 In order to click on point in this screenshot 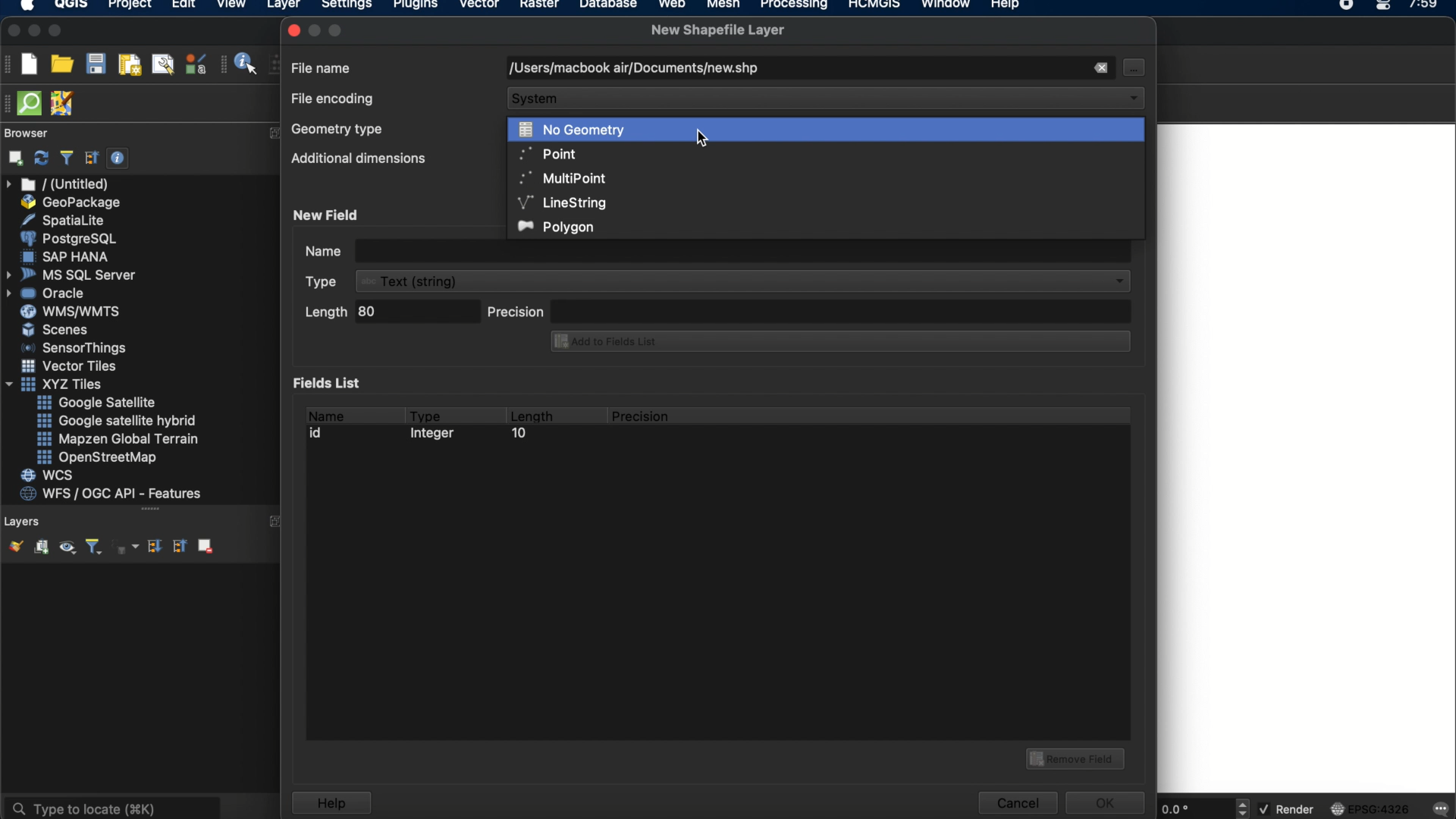, I will do `click(545, 153)`.